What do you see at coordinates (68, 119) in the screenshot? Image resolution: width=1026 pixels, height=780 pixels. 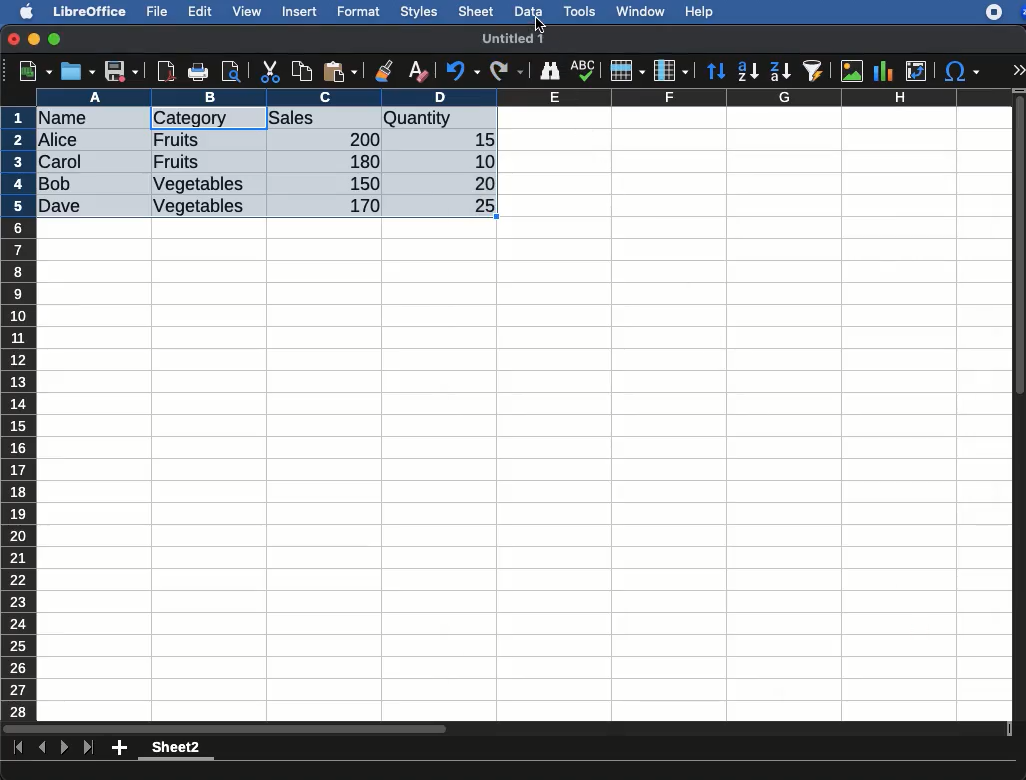 I see `name` at bounding box center [68, 119].